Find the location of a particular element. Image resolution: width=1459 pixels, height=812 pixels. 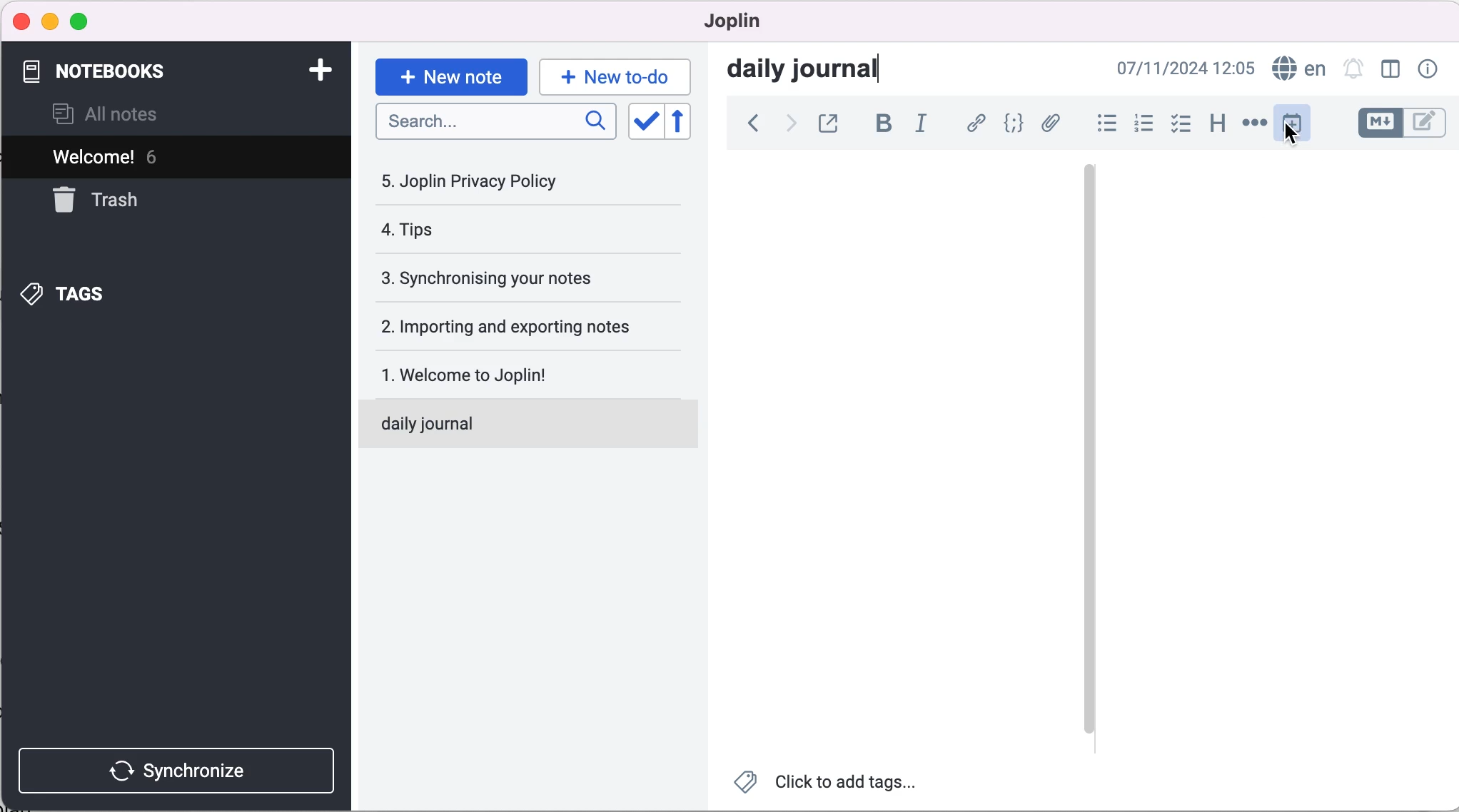

toggle external editing is located at coordinates (832, 123).